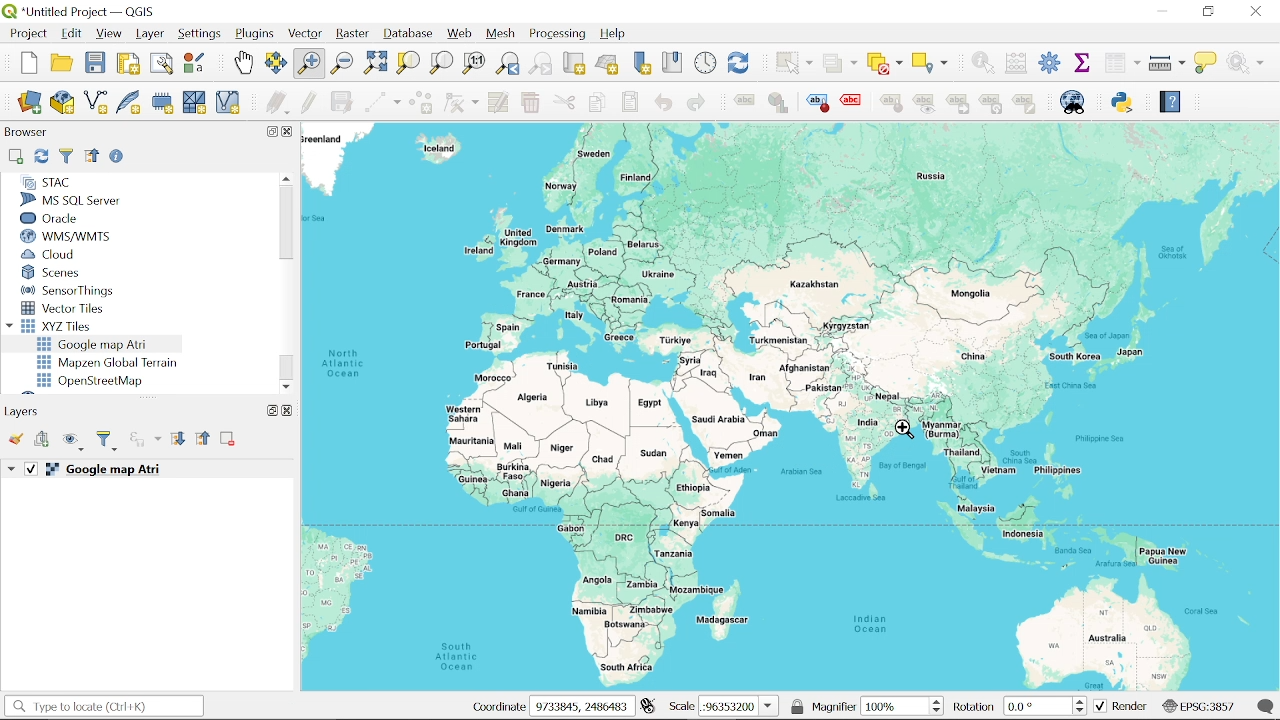 Image resolution: width=1280 pixels, height=720 pixels. Describe the element at coordinates (642, 64) in the screenshot. I see `New special bookmark` at that location.